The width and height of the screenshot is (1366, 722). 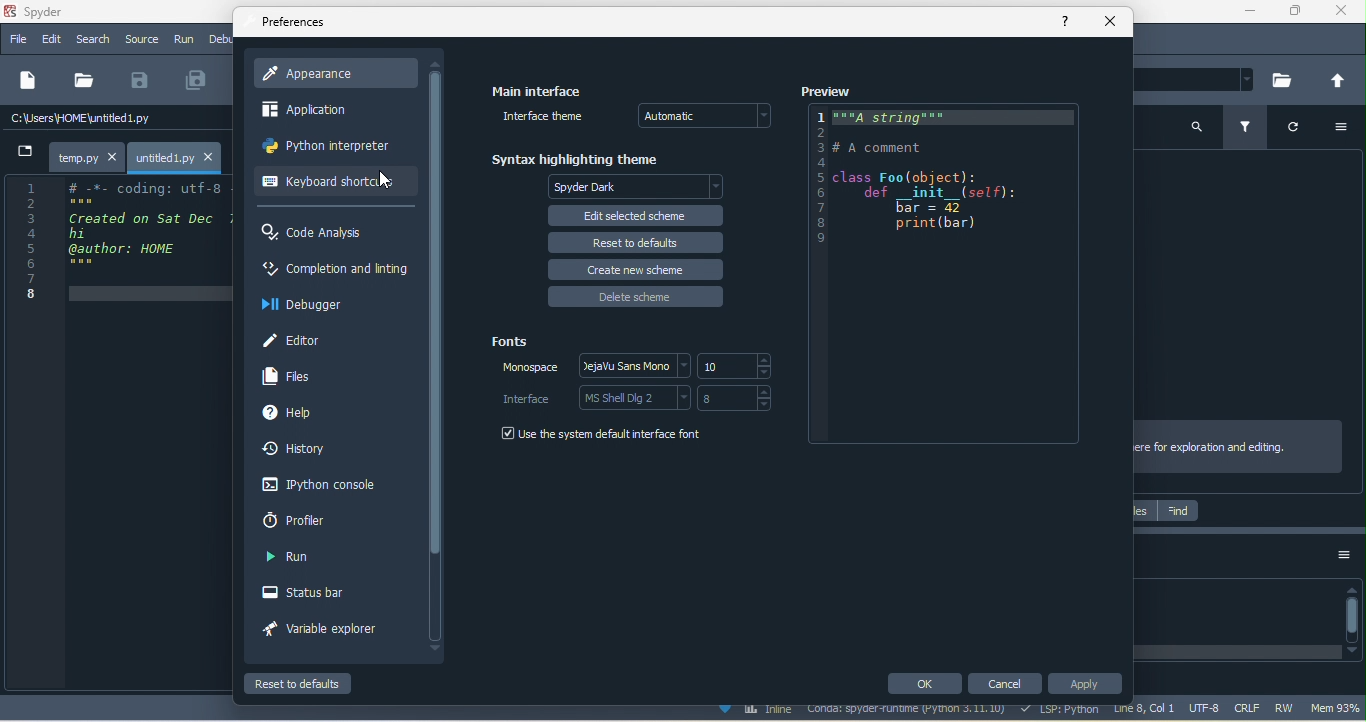 What do you see at coordinates (318, 523) in the screenshot?
I see `profiler` at bounding box center [318, 523].